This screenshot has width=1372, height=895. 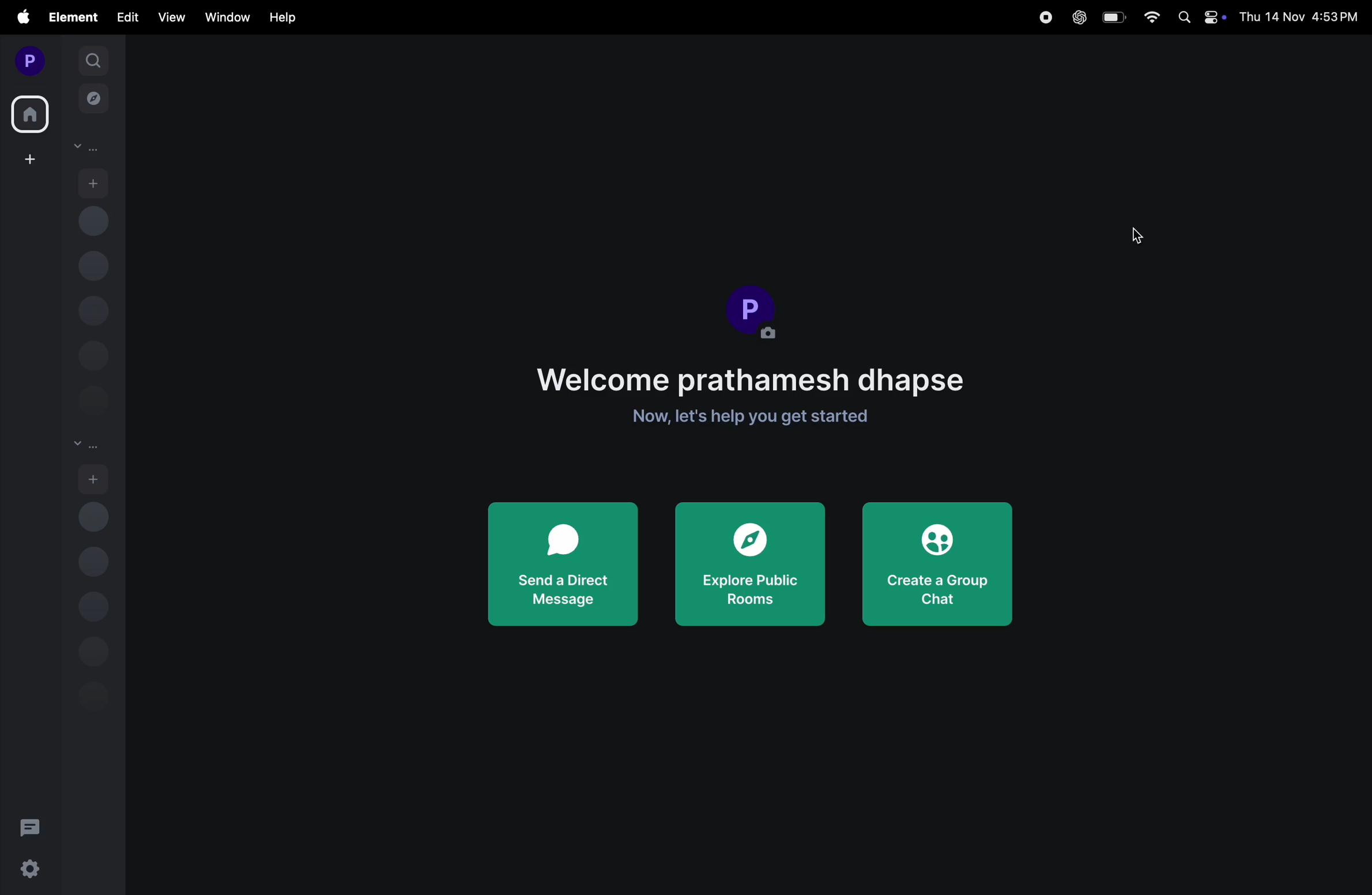 What do you see at coordinates (753, 311) in the screenshot?
I see `display pic` at bounding box center [753, 311].